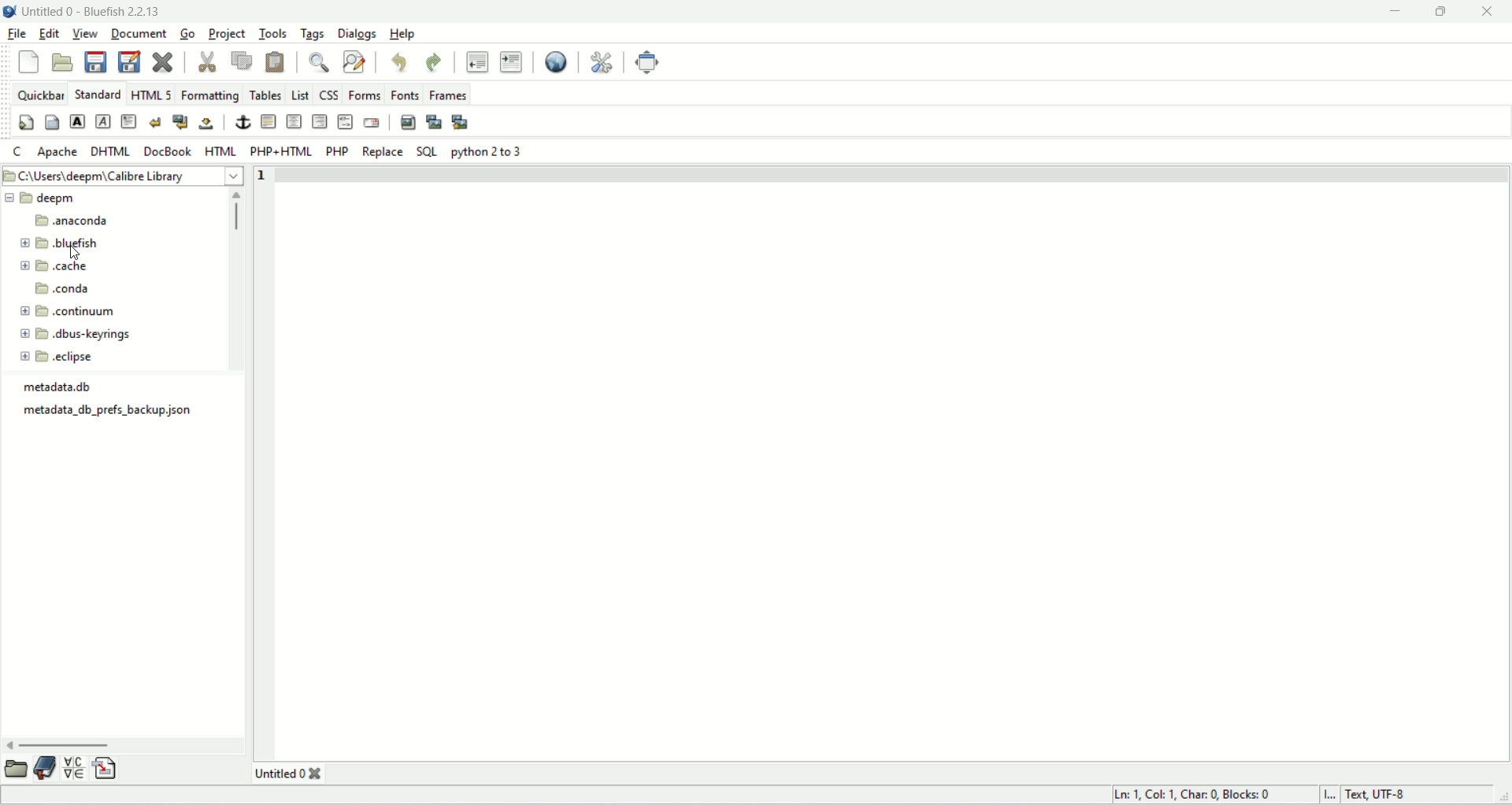 Image resolution: width=1512 pixels, height=805 pixels. I want to click on anchor/hyperlink, so click(239, 123).